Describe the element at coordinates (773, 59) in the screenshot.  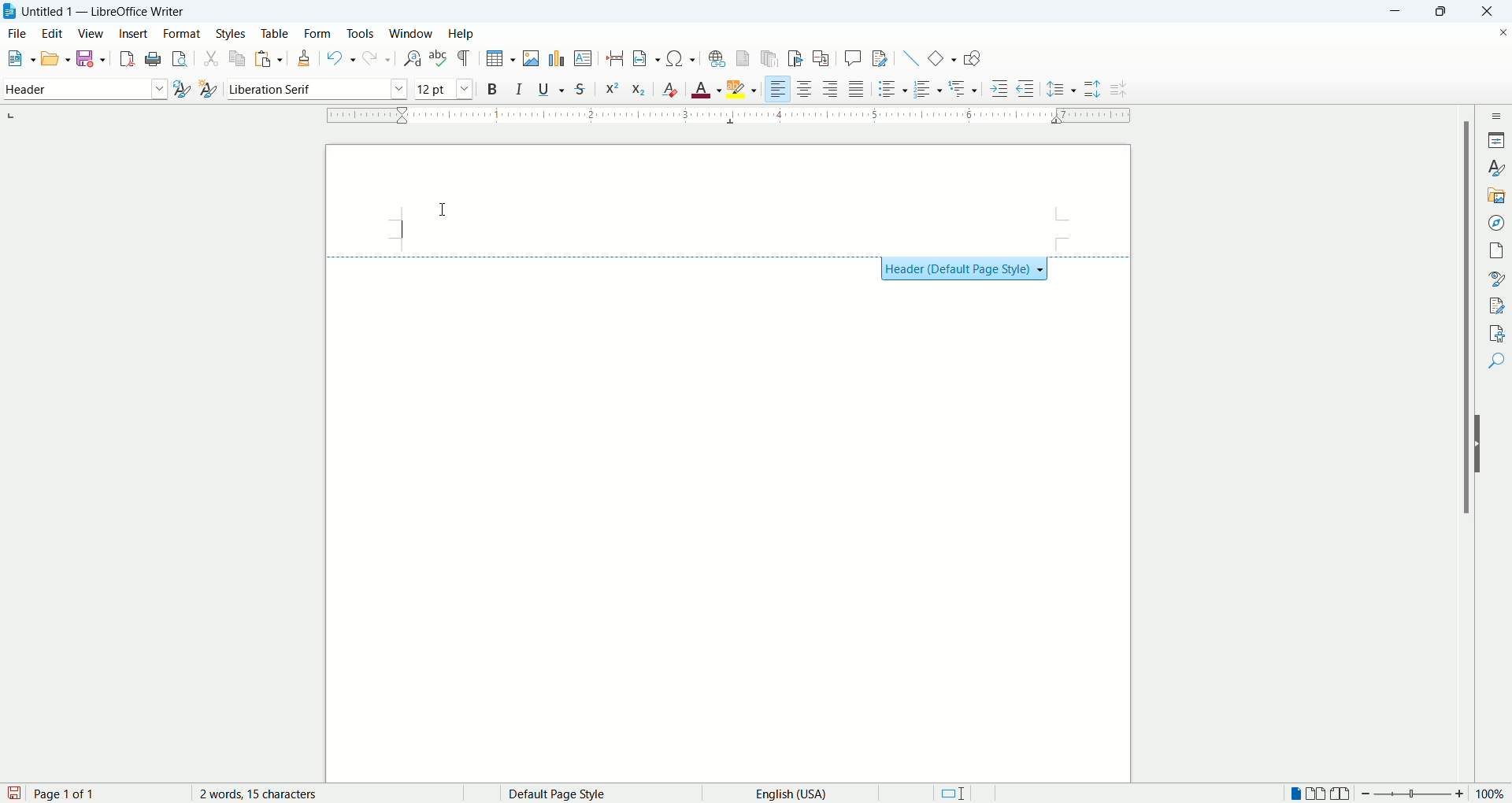
I see `insert endnote` at that location.